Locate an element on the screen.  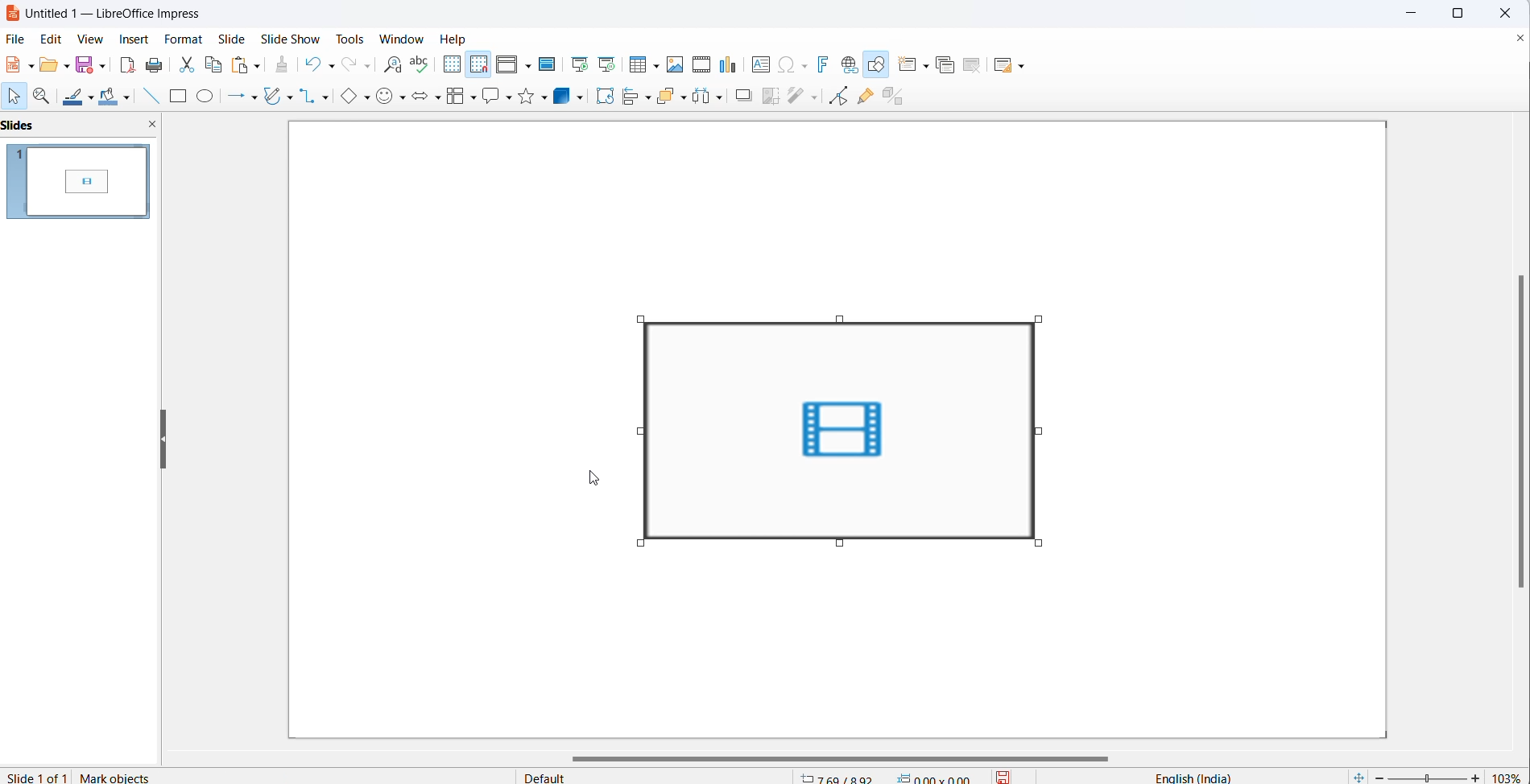
window is located at coordinates (396, 36).